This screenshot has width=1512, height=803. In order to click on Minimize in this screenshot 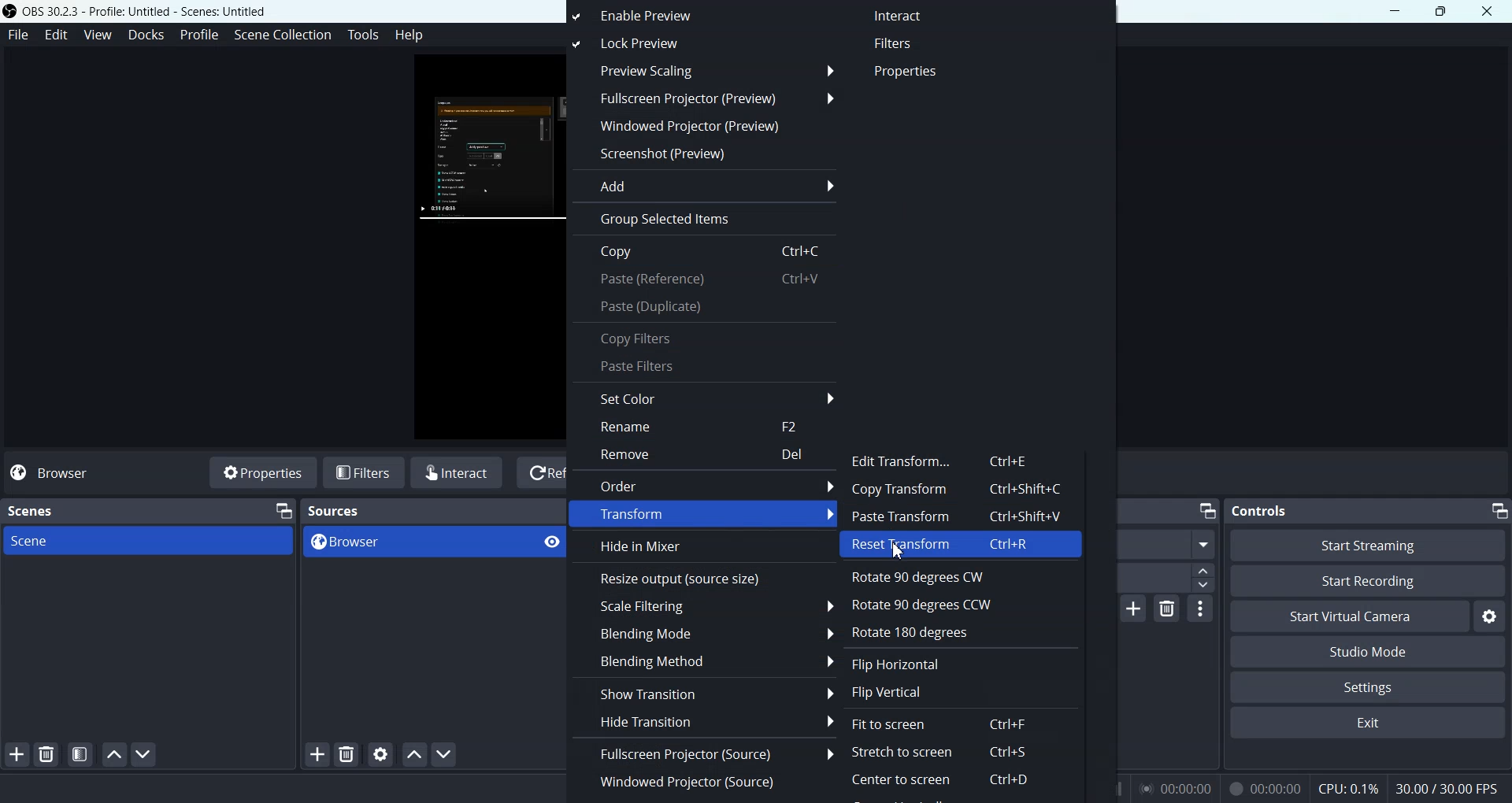, I will do `click(1499, 511)`.